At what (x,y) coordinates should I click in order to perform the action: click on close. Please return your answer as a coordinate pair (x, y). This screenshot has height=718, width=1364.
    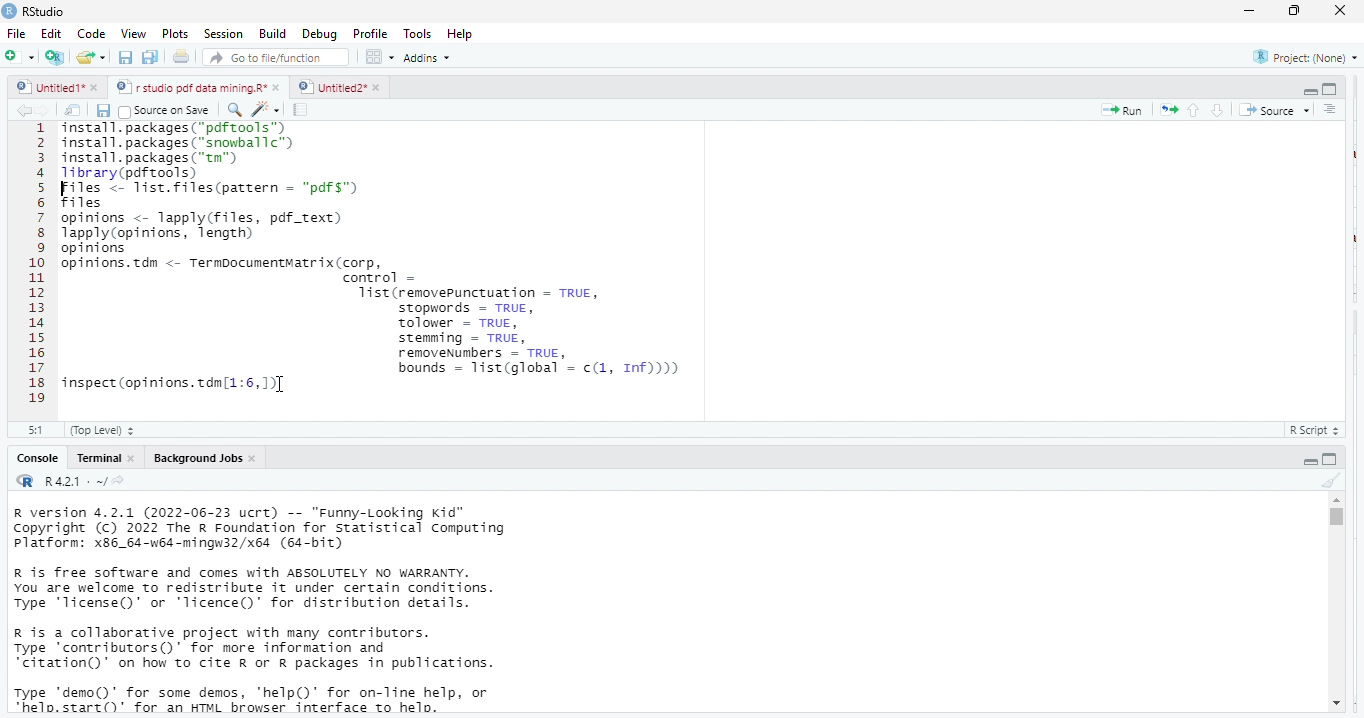
    Looking at the image, I should click on (255, 458).